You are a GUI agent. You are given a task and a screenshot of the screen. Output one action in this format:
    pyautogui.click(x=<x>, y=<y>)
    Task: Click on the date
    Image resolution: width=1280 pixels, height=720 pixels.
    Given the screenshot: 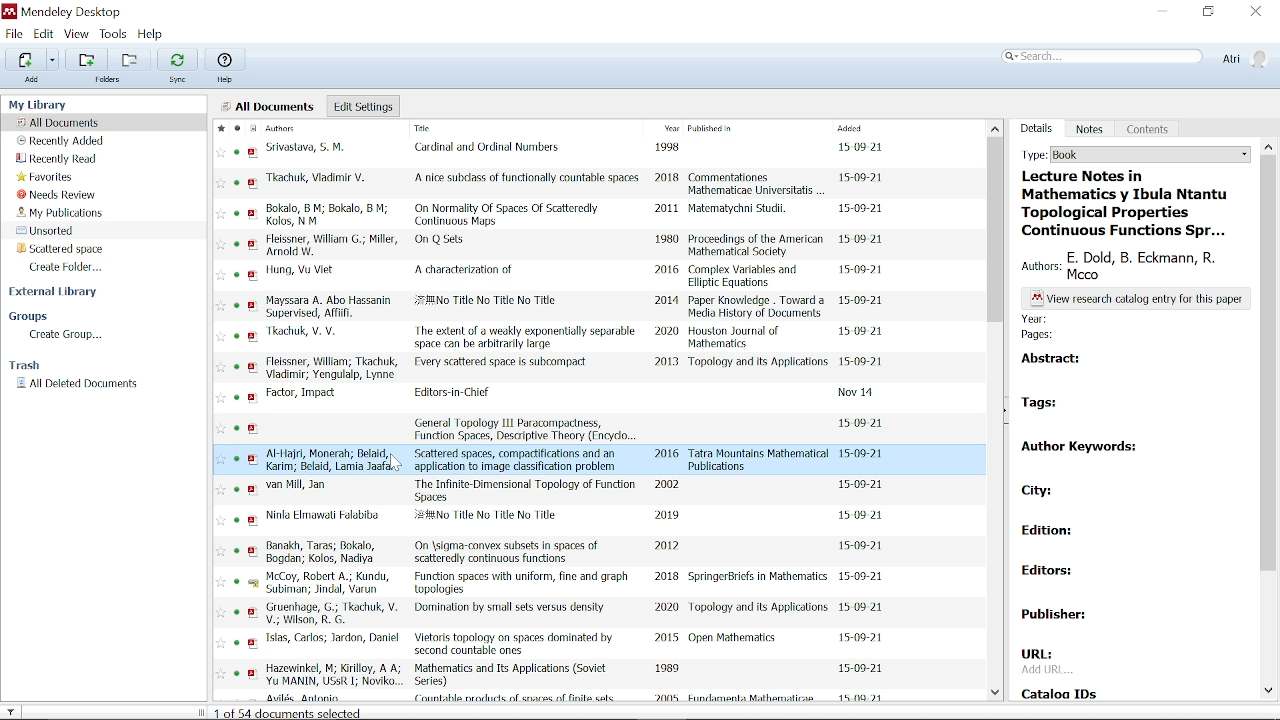 What is the action you would take?
    pyautogui.click(x=862, y=454)
    